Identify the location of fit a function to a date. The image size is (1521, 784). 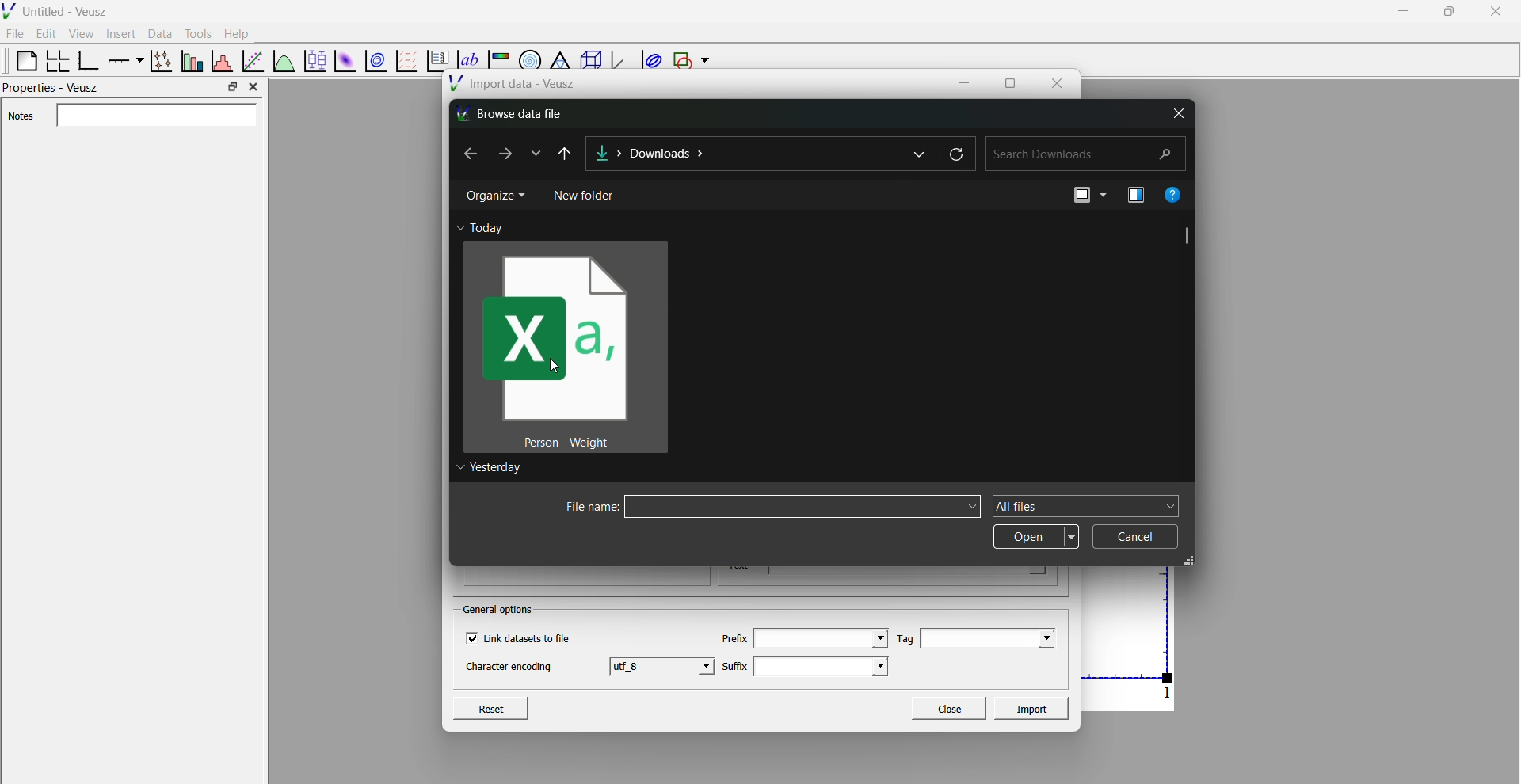
(253, 60).